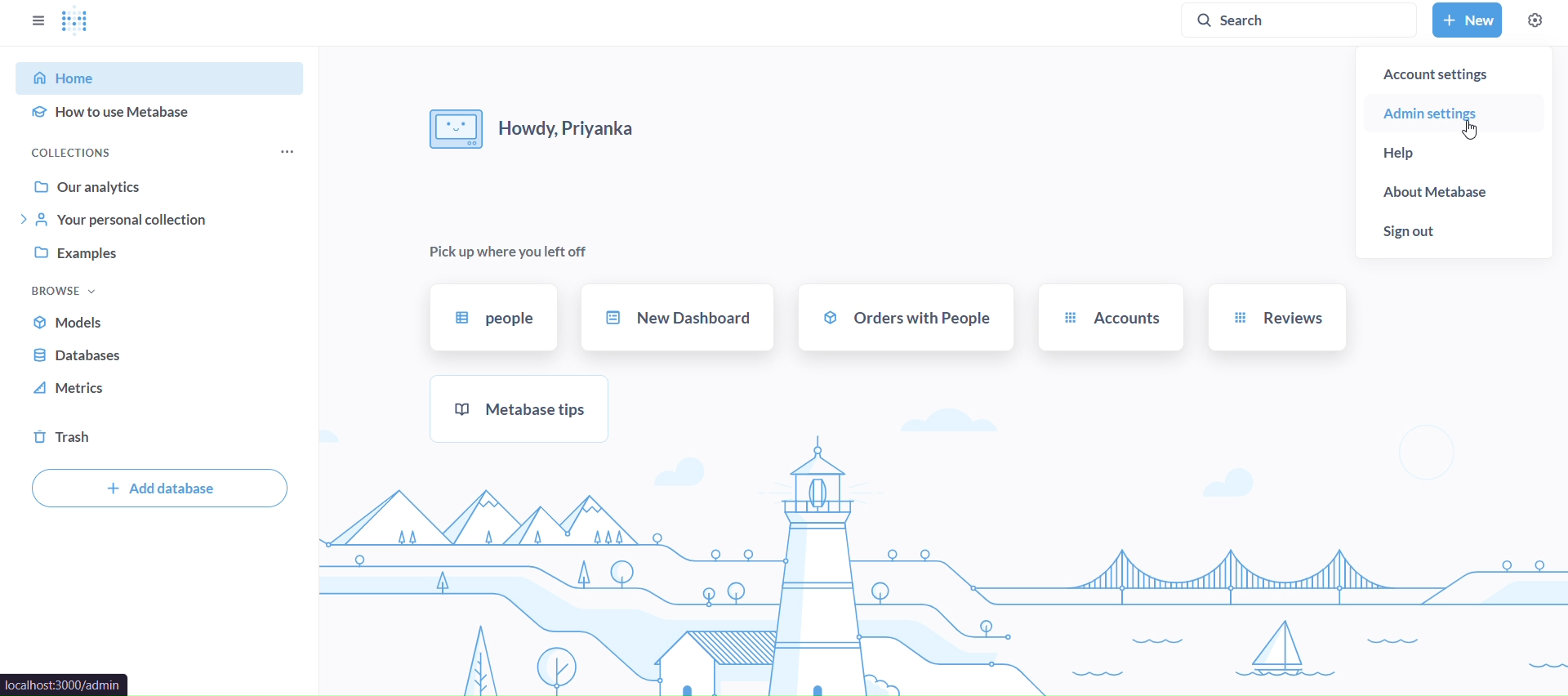  What do you see at coordinates (163, 185) in the screenshot?
I see `our analytics` at bounding box center [163, 185].